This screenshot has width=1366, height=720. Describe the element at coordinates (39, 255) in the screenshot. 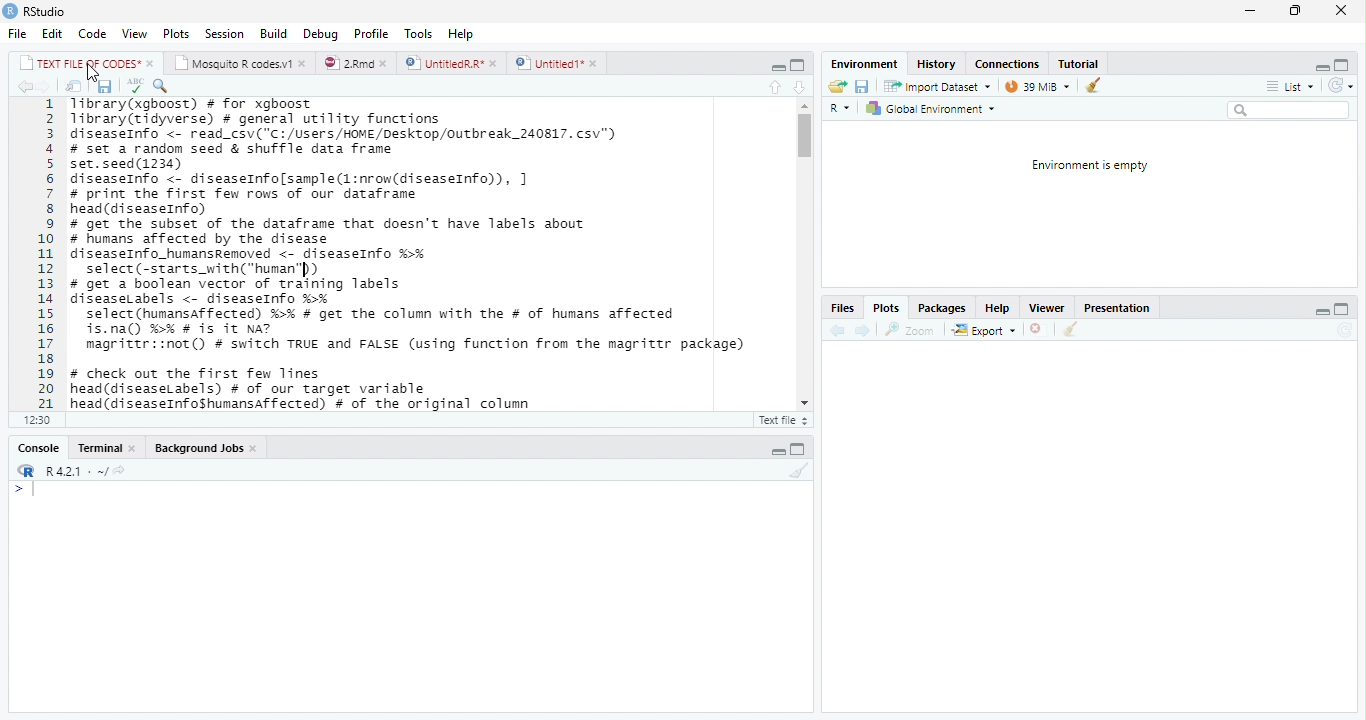

I see `Row Number` at that location.